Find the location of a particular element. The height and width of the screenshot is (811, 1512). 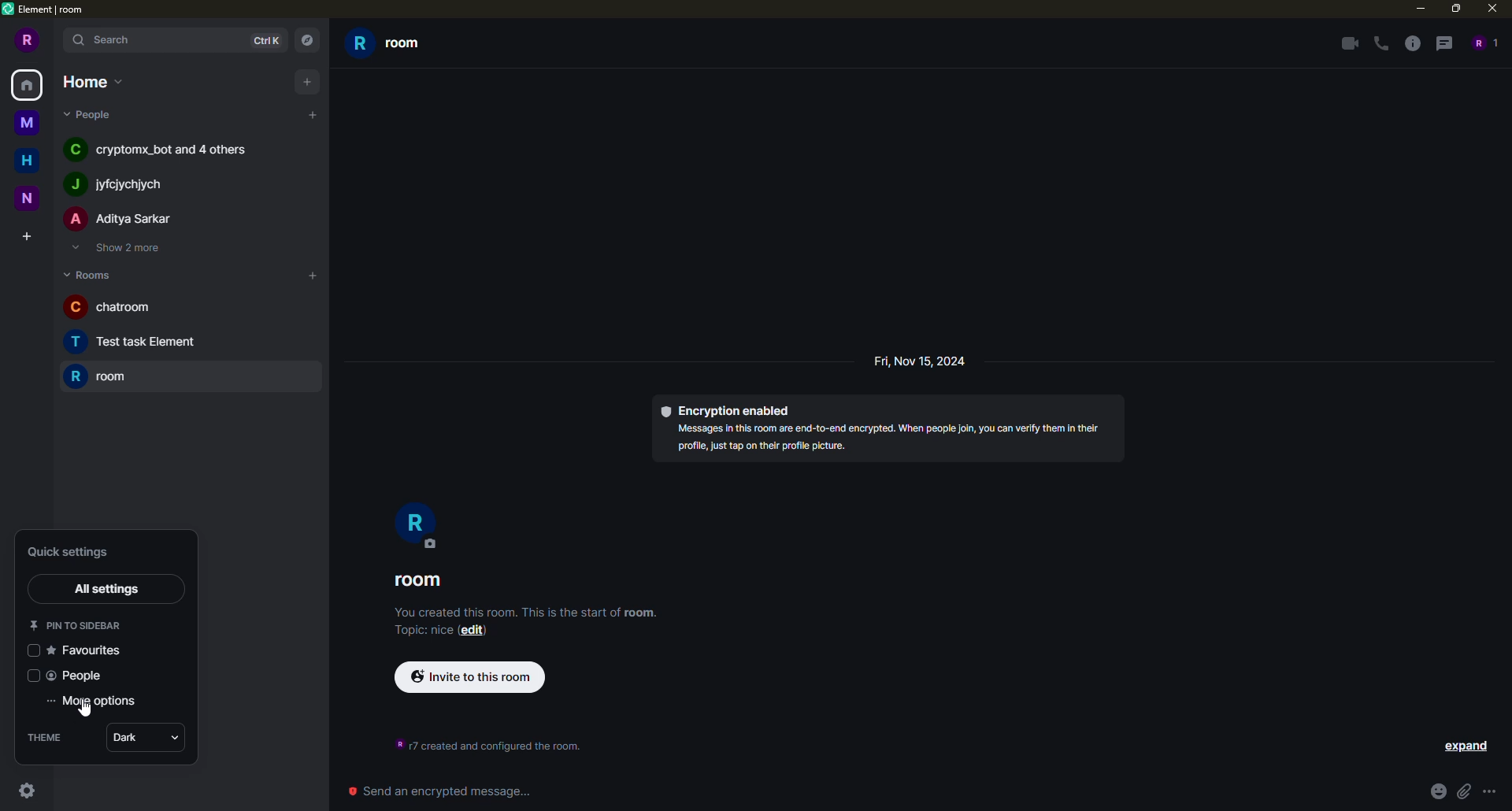

rooms is located at coordinates (88, 273).